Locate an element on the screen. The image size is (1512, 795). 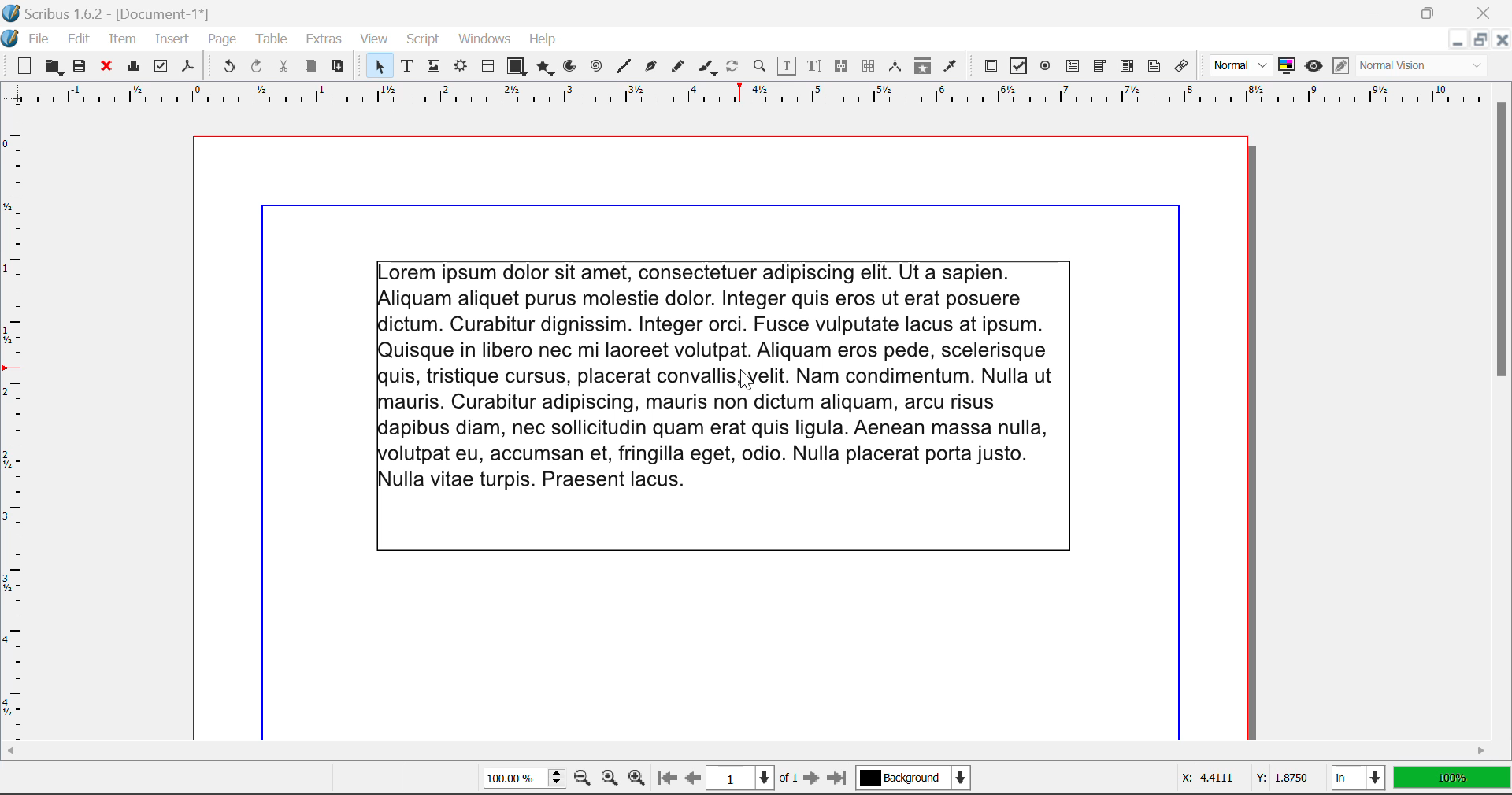
First Page is located at coordinates (665, 779).